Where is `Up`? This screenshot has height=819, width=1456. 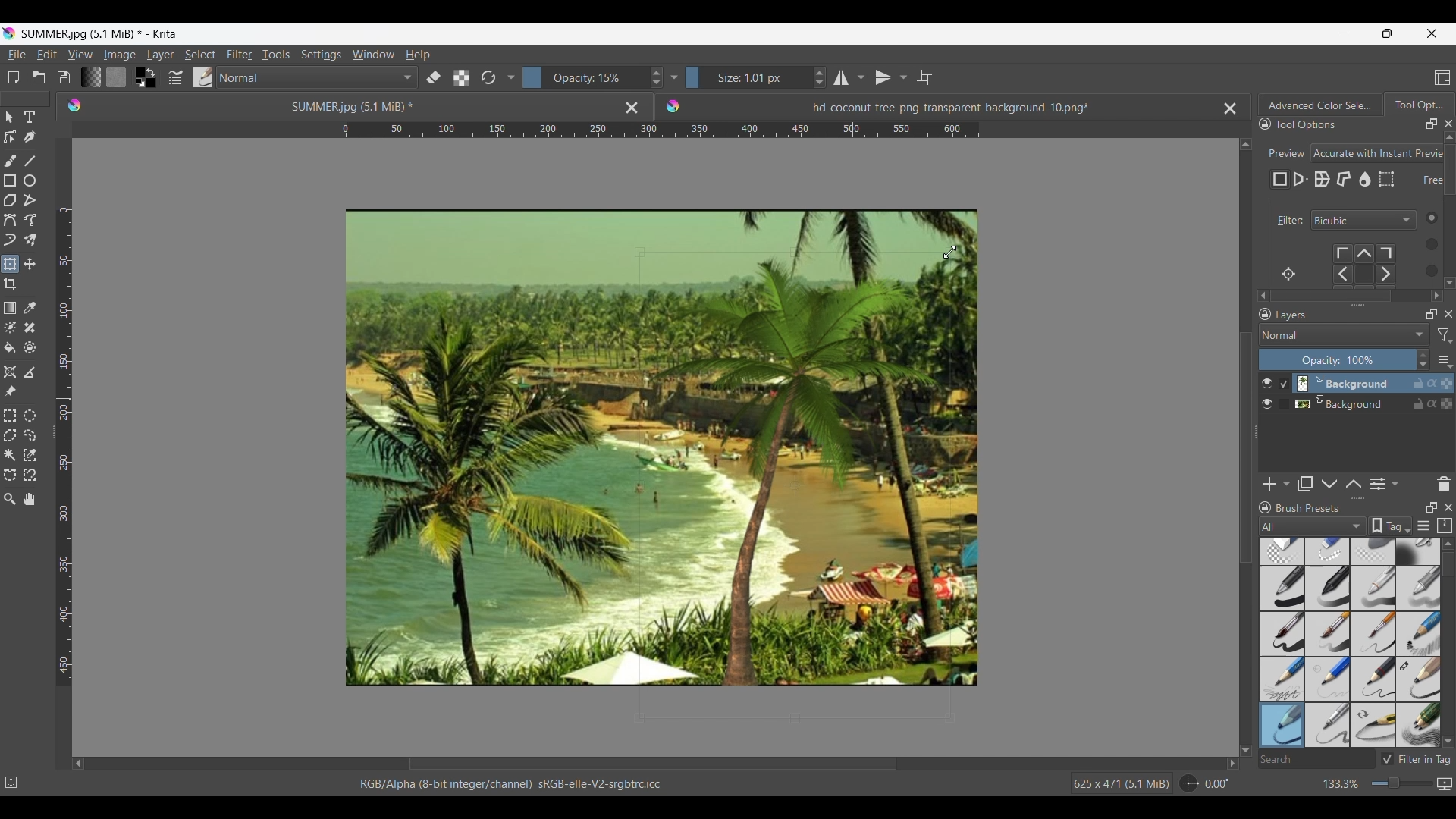
Up is located at coordinates (1246, 141).